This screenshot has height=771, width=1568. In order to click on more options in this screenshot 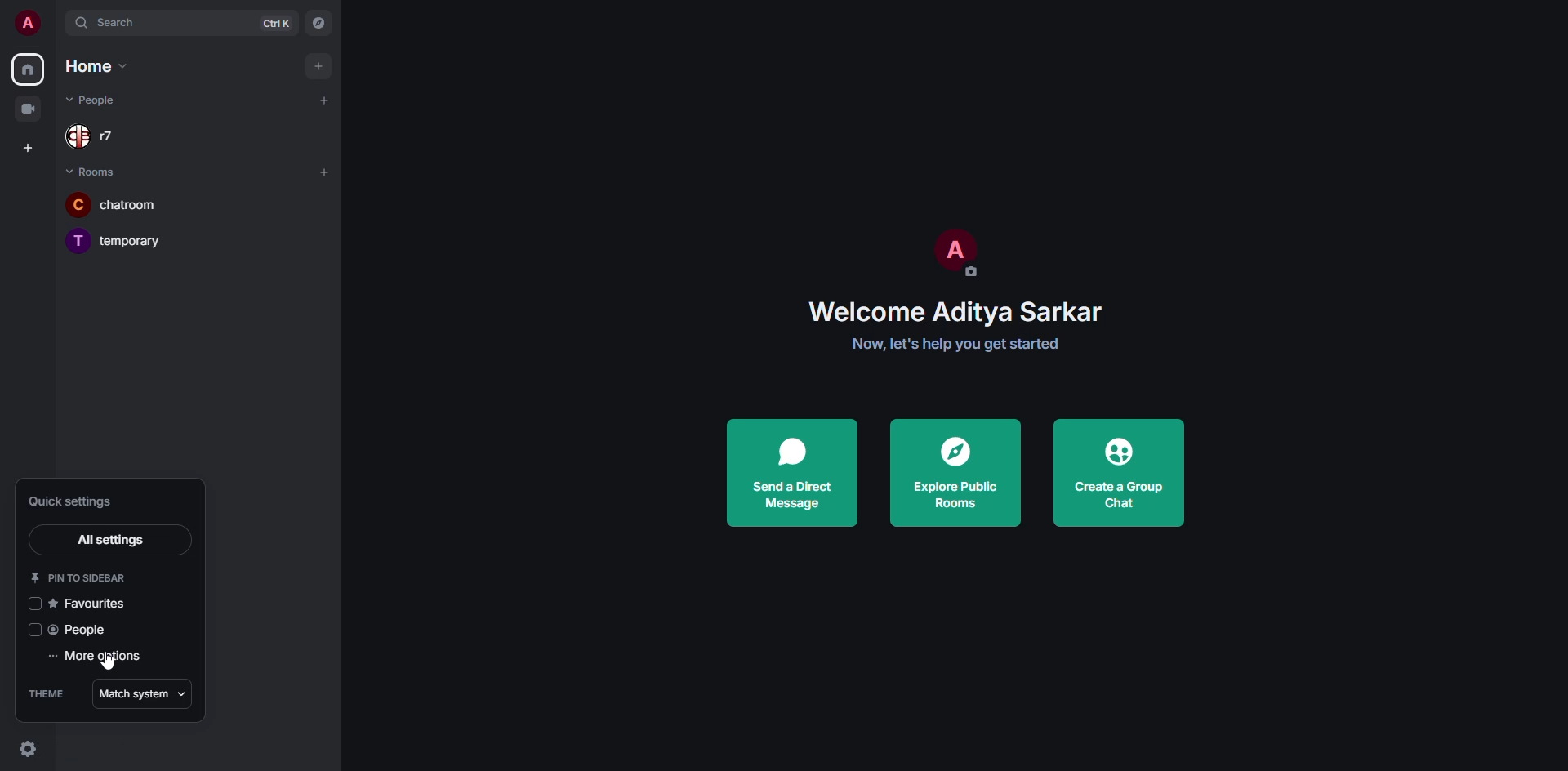, I will do `click(103, 657)`.